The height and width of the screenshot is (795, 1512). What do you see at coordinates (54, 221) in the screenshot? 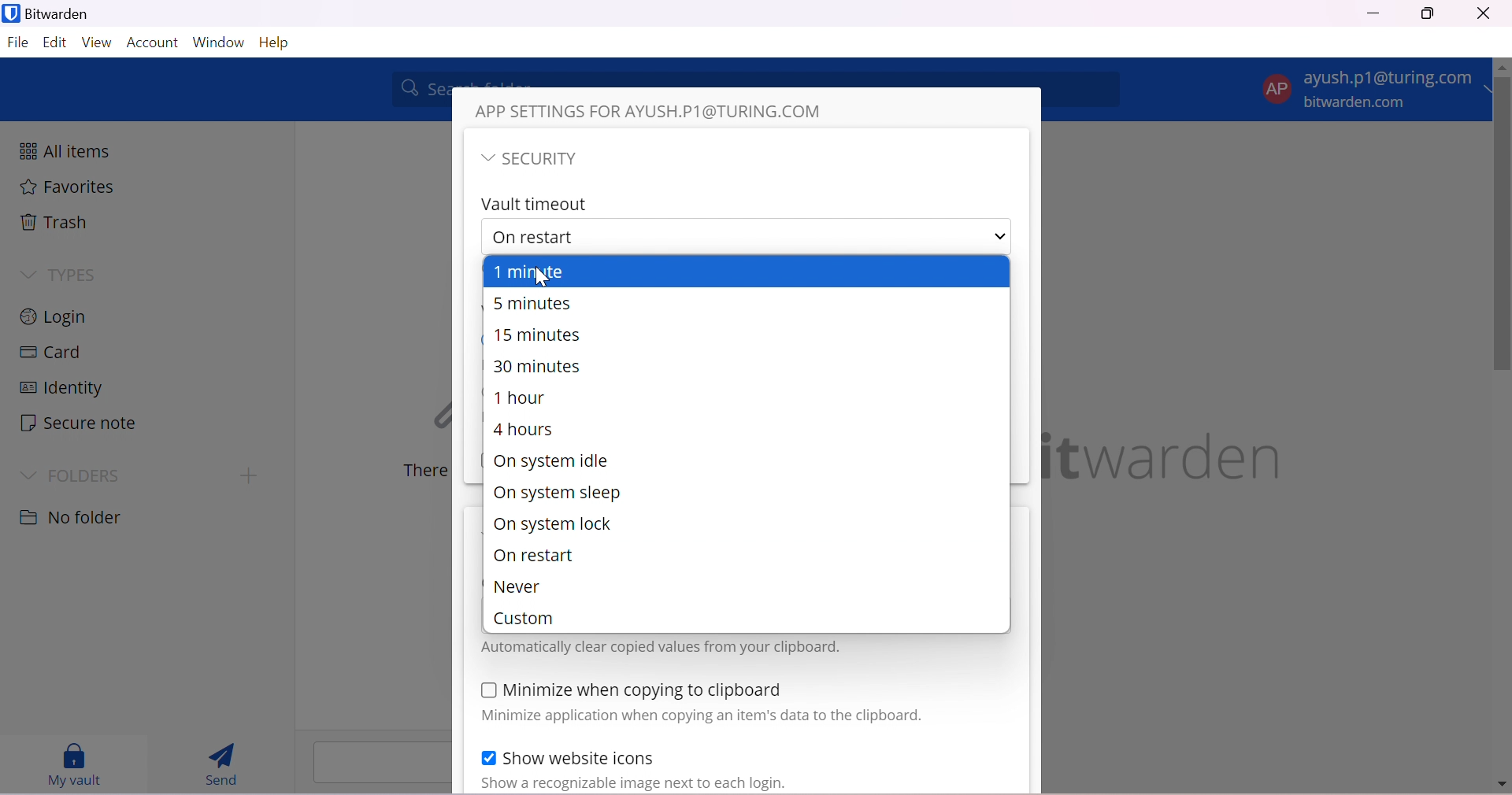
I see `Trash` at bounding box center [54, 221].